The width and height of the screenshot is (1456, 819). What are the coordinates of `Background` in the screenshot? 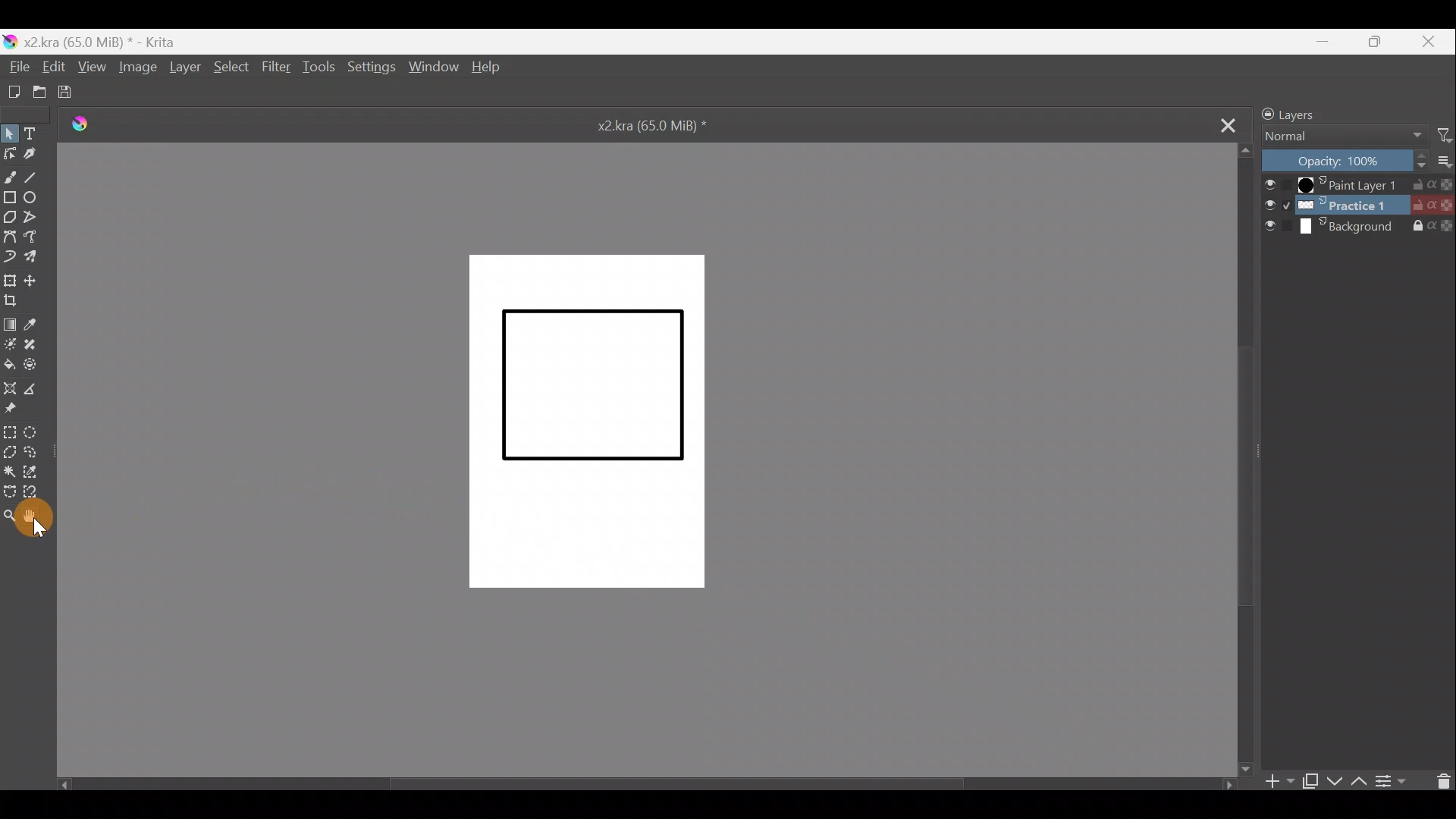 It's located at (1359, 228).